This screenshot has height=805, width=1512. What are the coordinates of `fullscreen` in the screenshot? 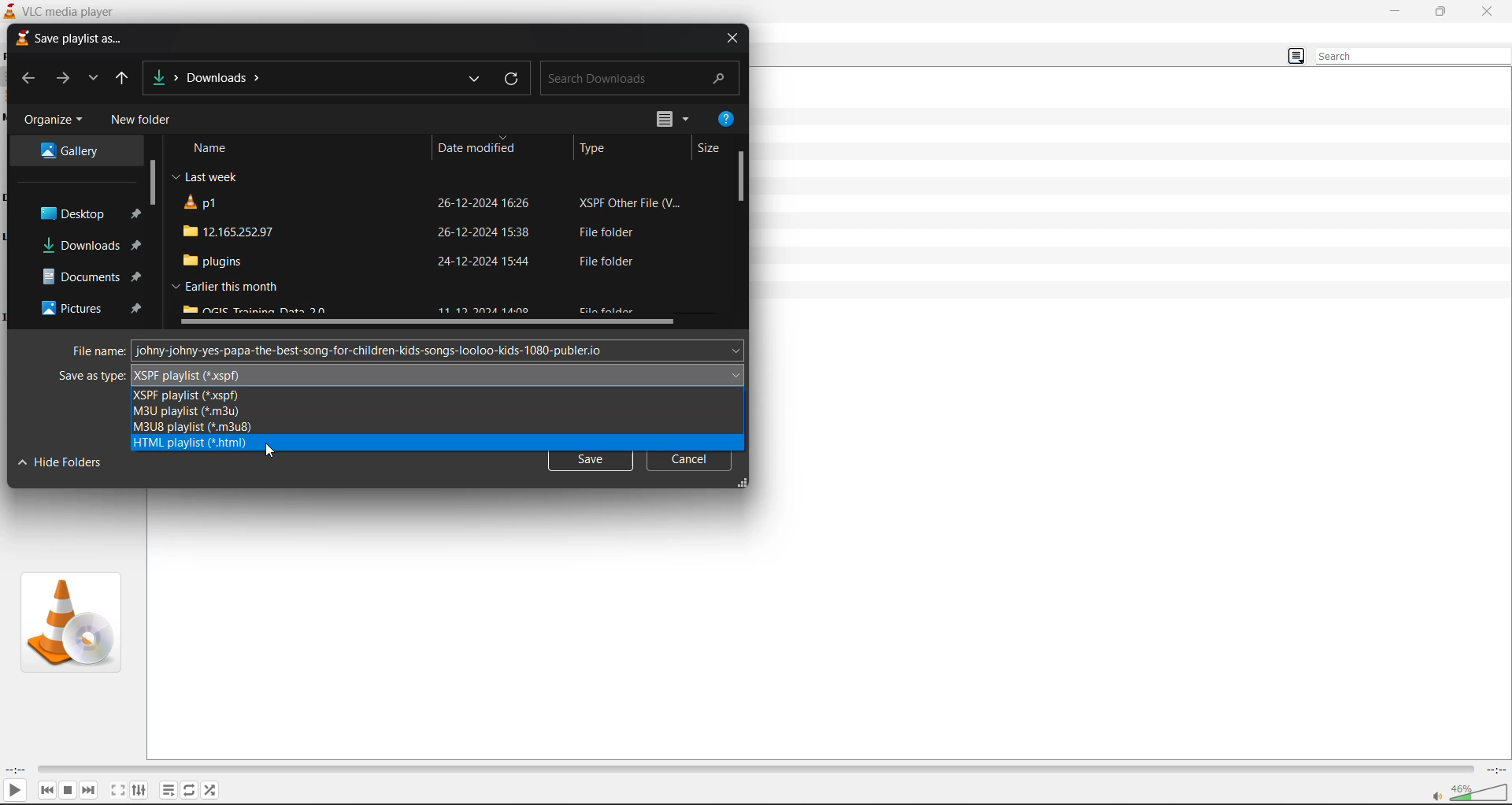 It's located at (118, 790).